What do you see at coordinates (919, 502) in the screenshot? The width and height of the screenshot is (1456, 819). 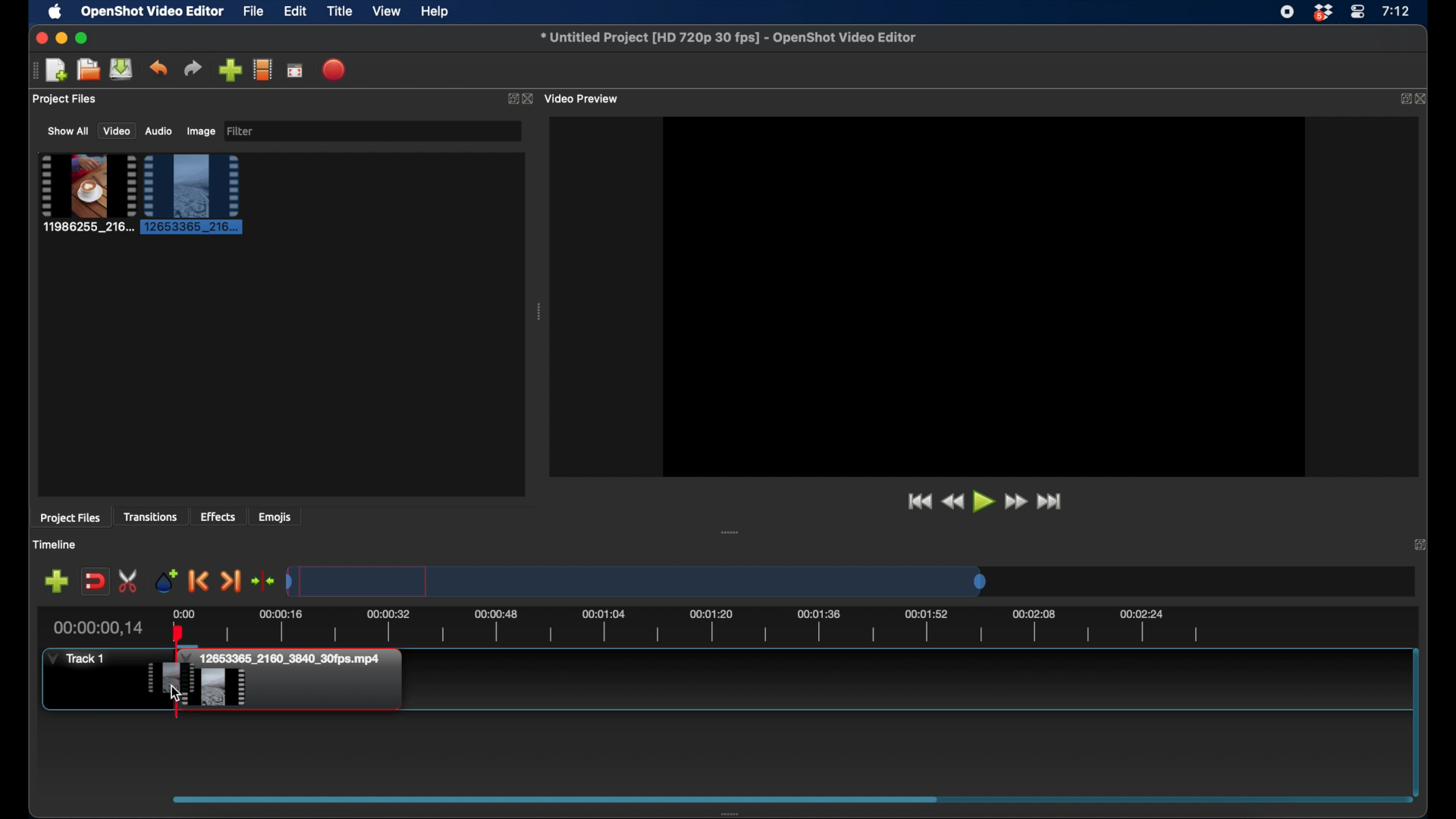 I see `jump to start` at bounding box center [919, 502].